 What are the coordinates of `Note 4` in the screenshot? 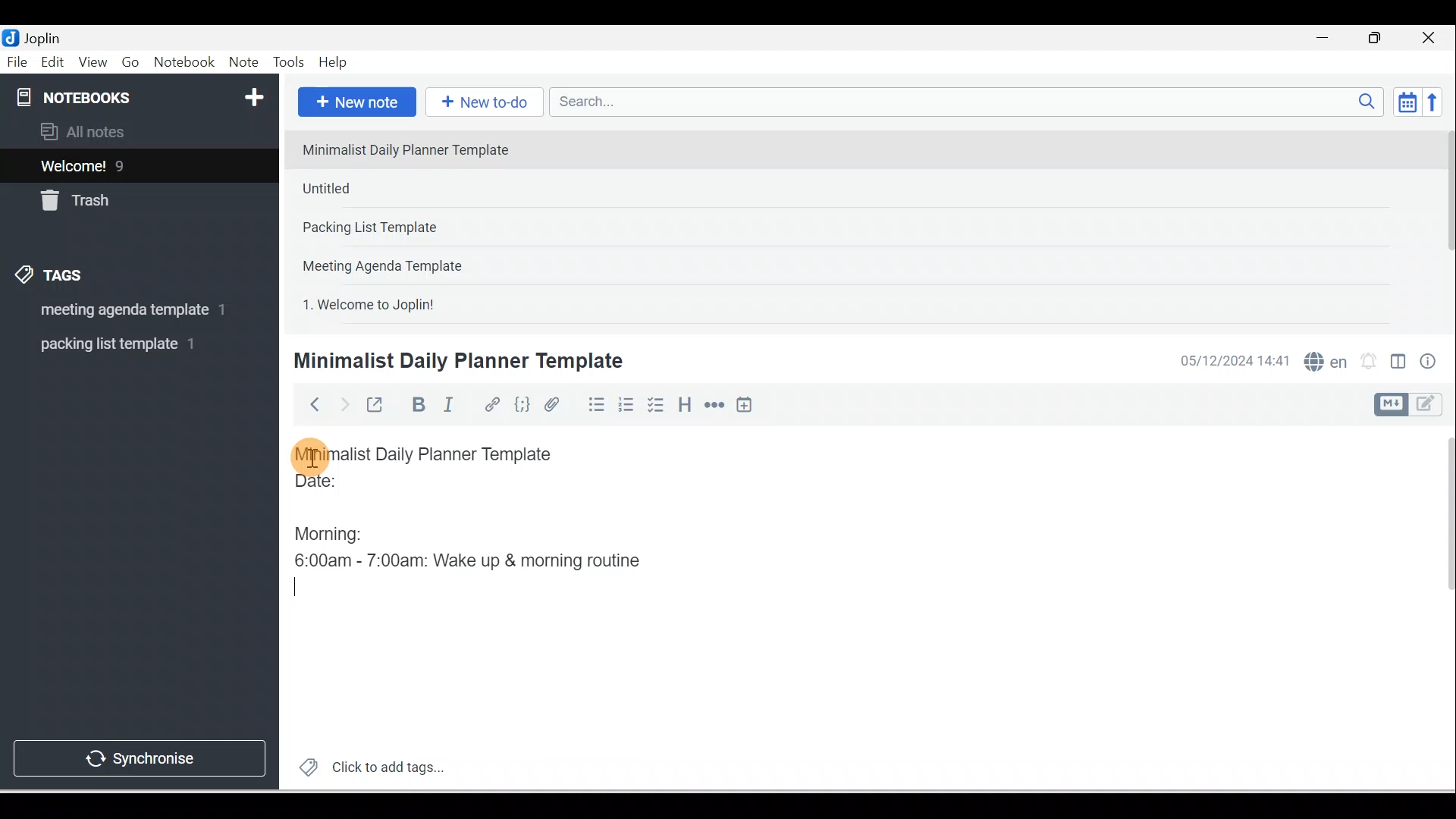 It's located at (403, 262).